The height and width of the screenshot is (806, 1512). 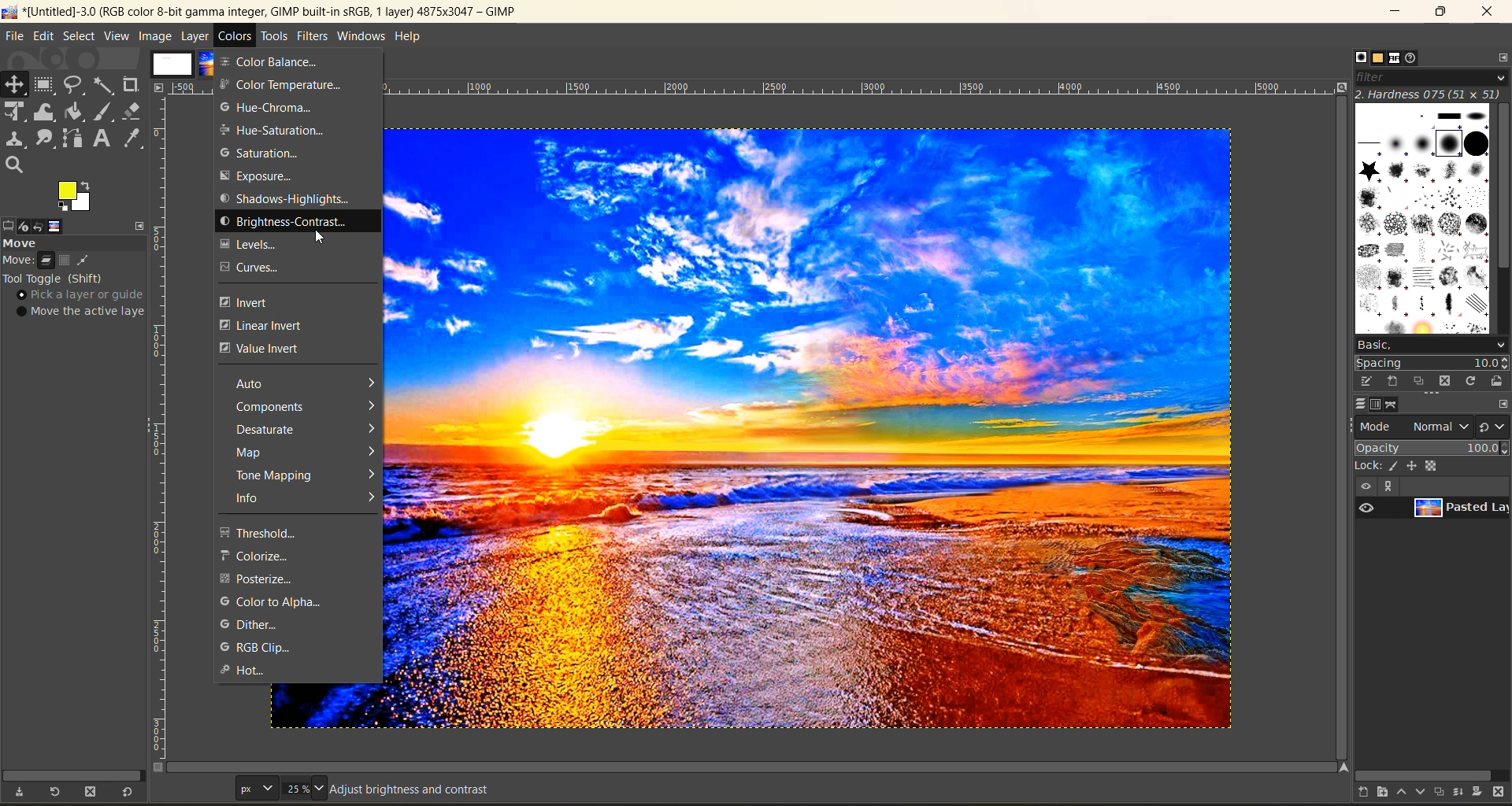 What do you see at coordinates (1442, 791) in the screenshot?
I see `create a duplicate` at bounding box center [1442, 791].